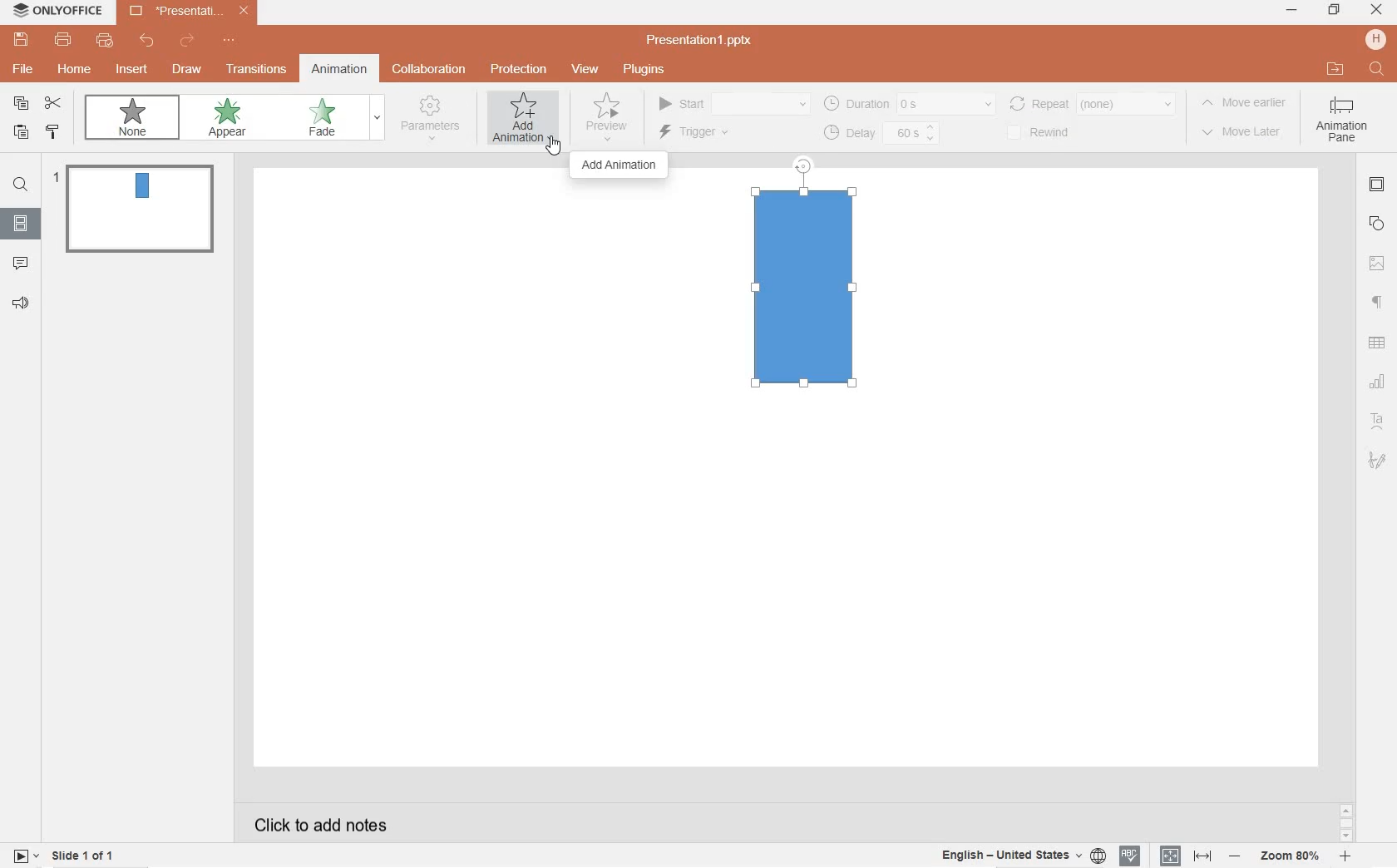 The width and height of the screenshot is (1397, 868). What do you see at coordinates (18, 133) in the screenshot?
I see `paste` at bounding box center [18, 133].